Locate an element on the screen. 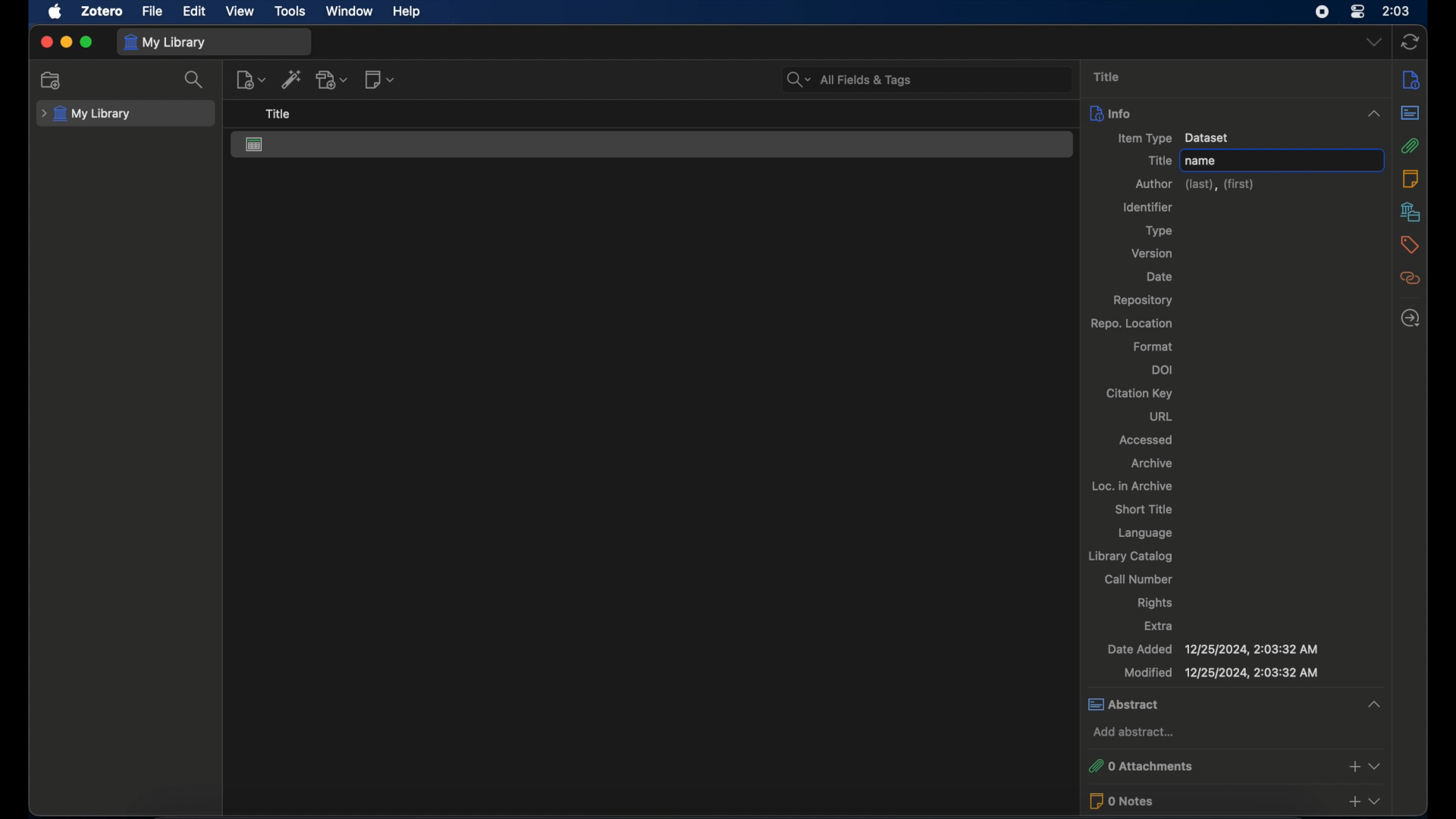  abstract is located at coordinates (1234, 703).